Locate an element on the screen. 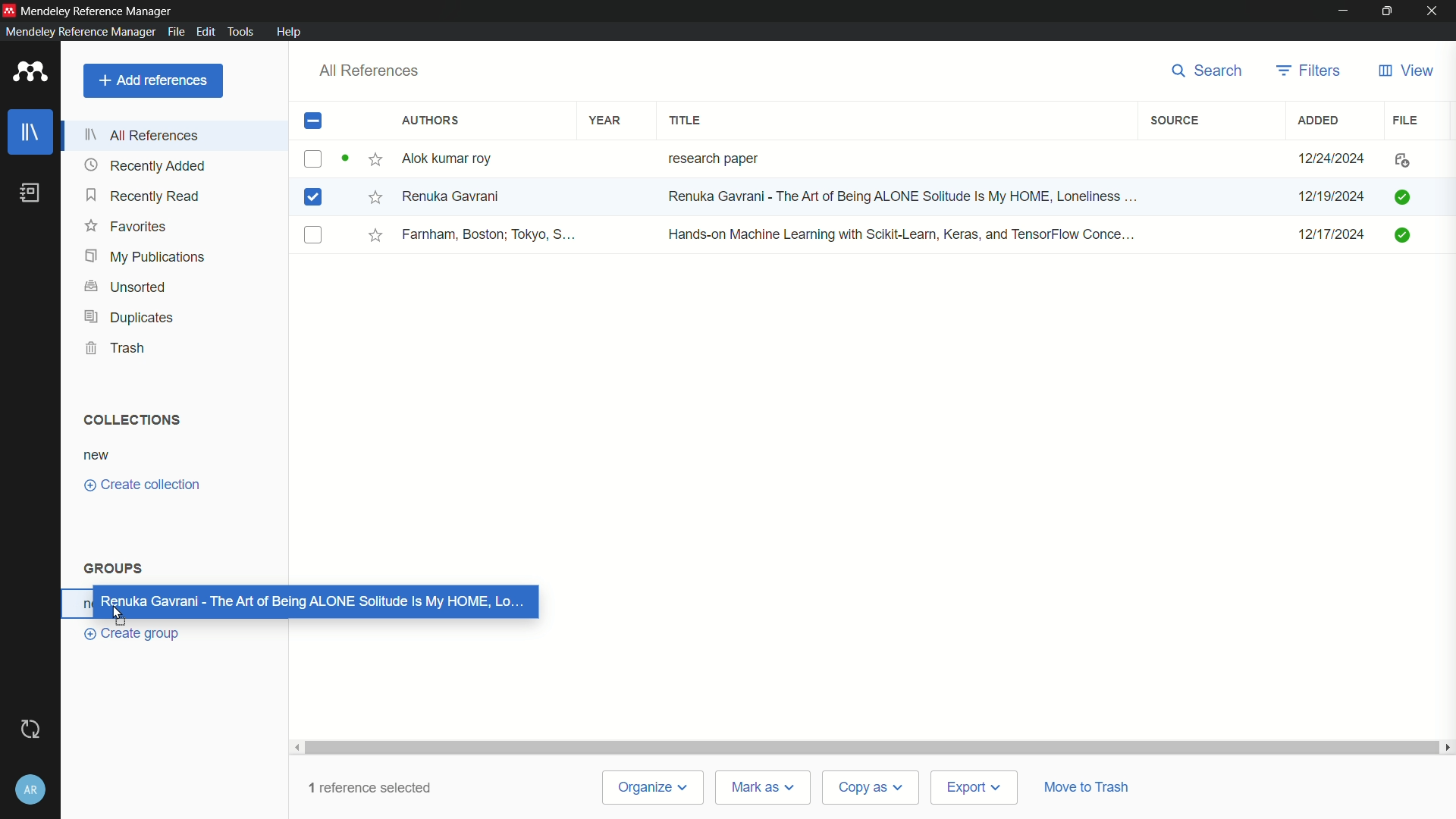 The width and height of the screenshot is (1456, 819). create group is located at coordinates (136, 633).